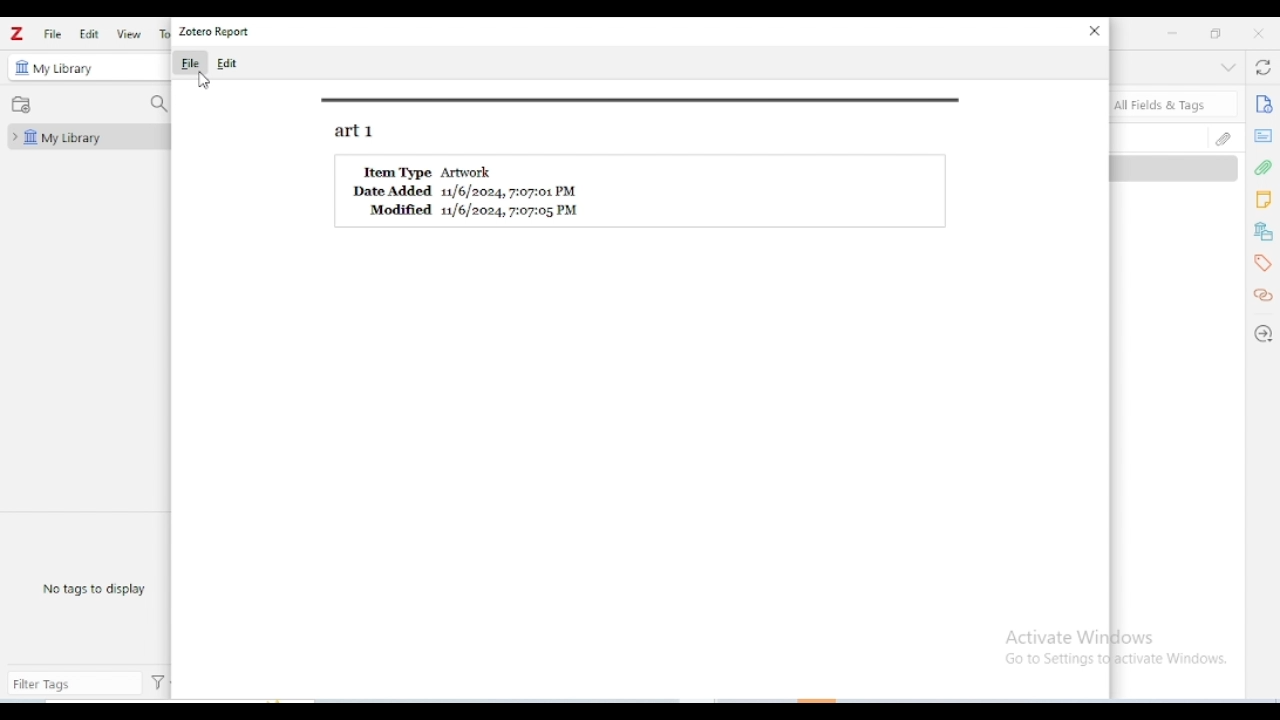  Describe the element at coordinates (1228, 67) in the screenshot. I see `collapse section` at that location.